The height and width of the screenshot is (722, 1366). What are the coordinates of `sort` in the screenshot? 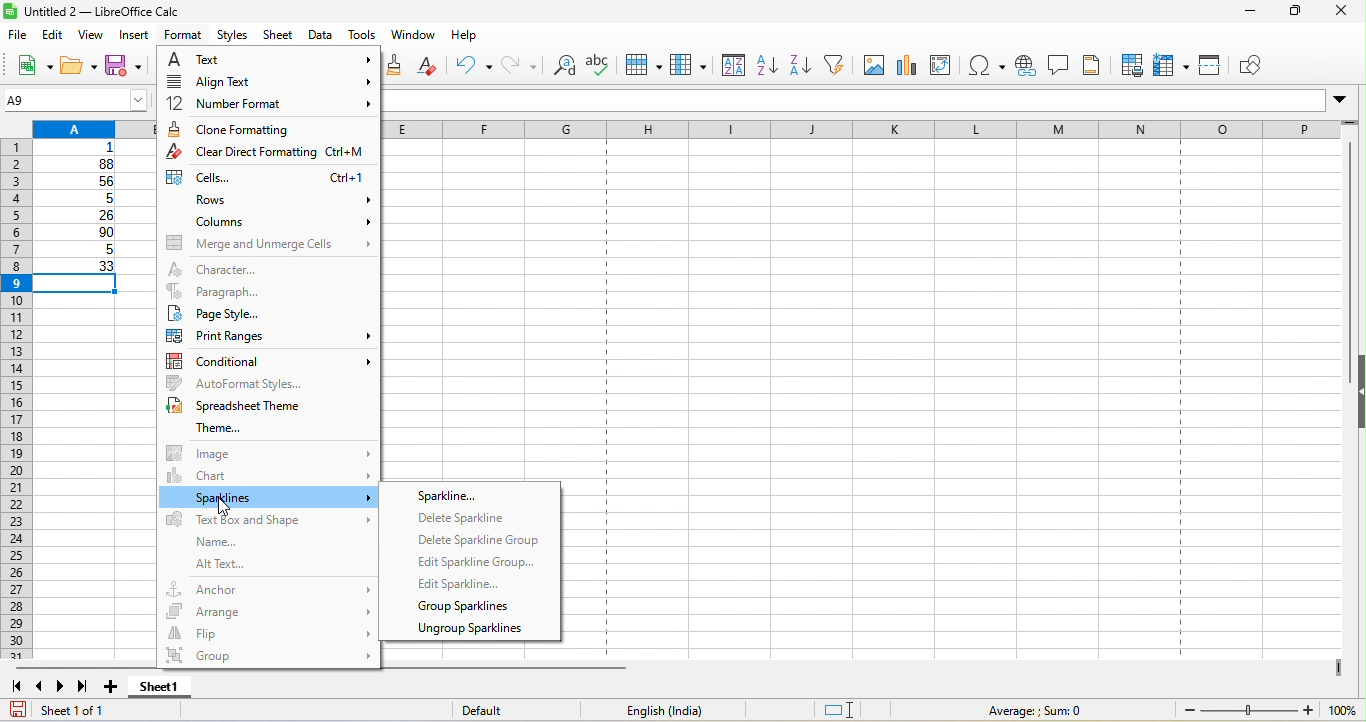 It's located at (730, 67).